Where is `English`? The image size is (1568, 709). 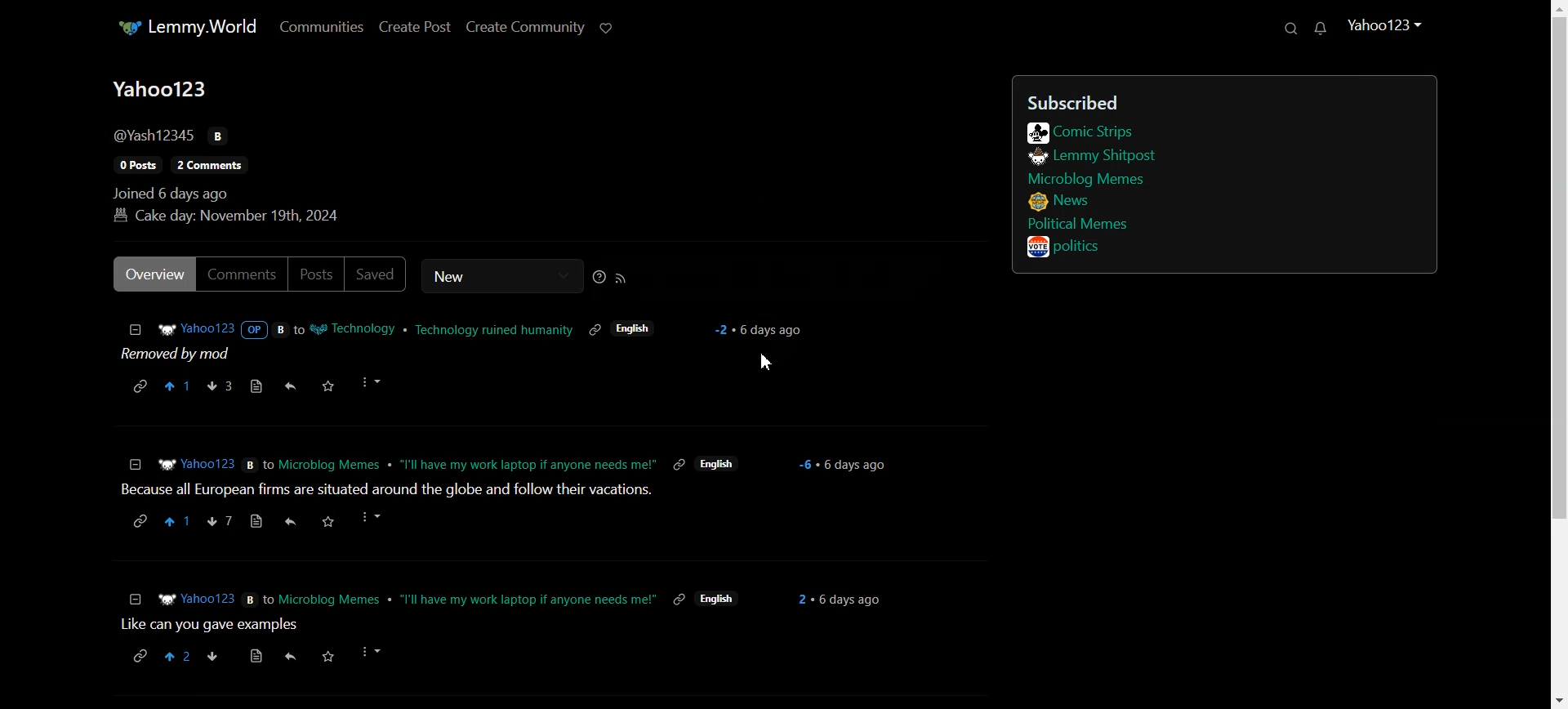 English is located at coordinates (717, 600).